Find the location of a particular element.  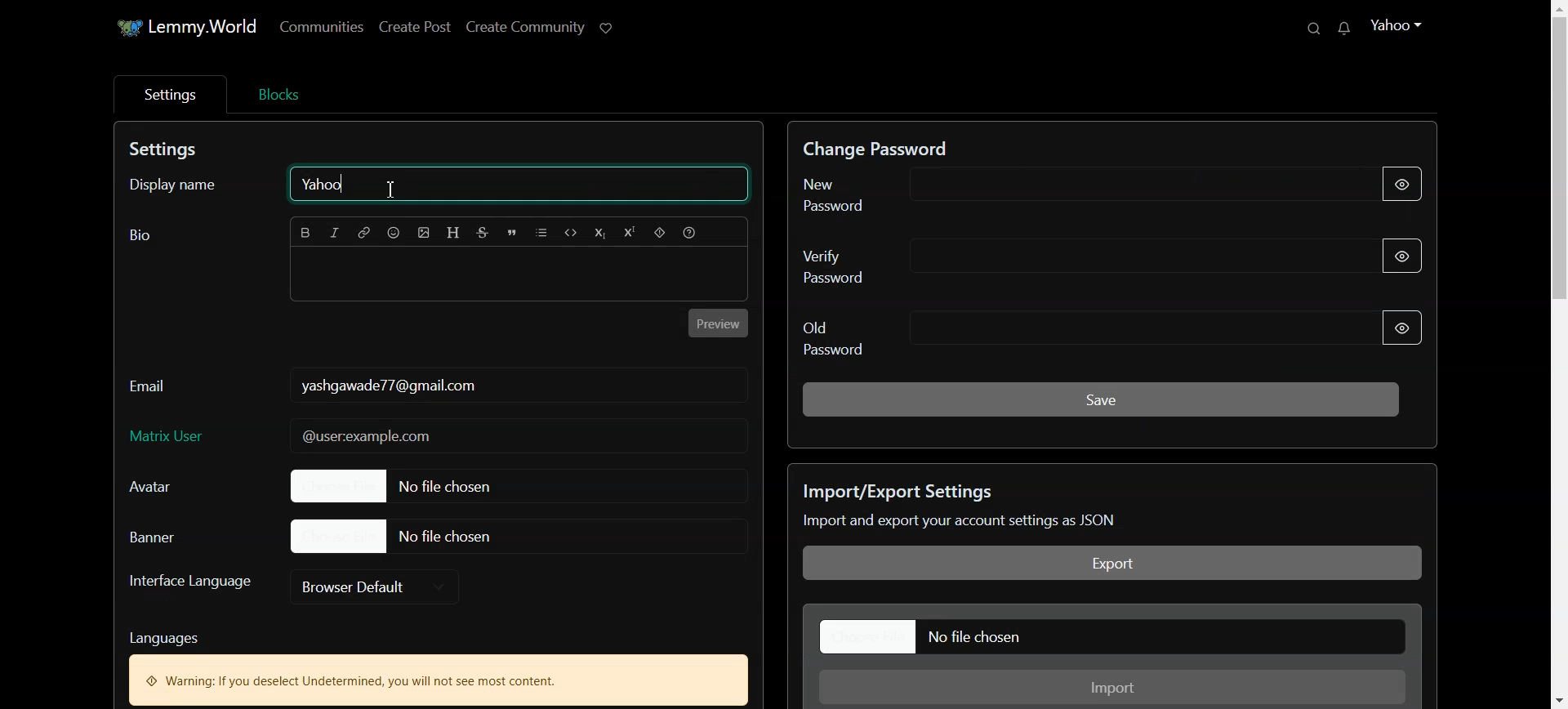

Email is located at coordinates (150, 381).